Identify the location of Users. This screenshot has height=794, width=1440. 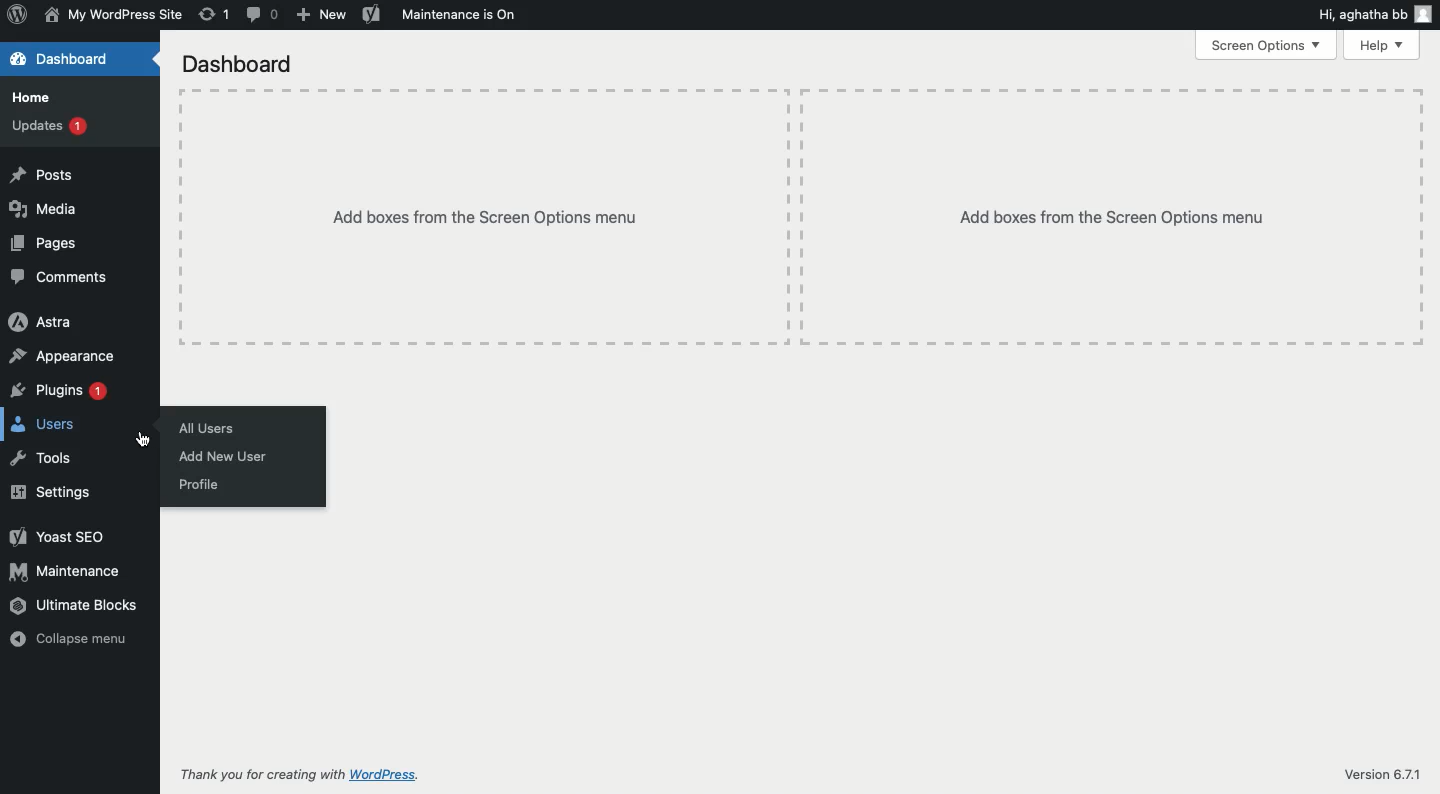
(47, 426).